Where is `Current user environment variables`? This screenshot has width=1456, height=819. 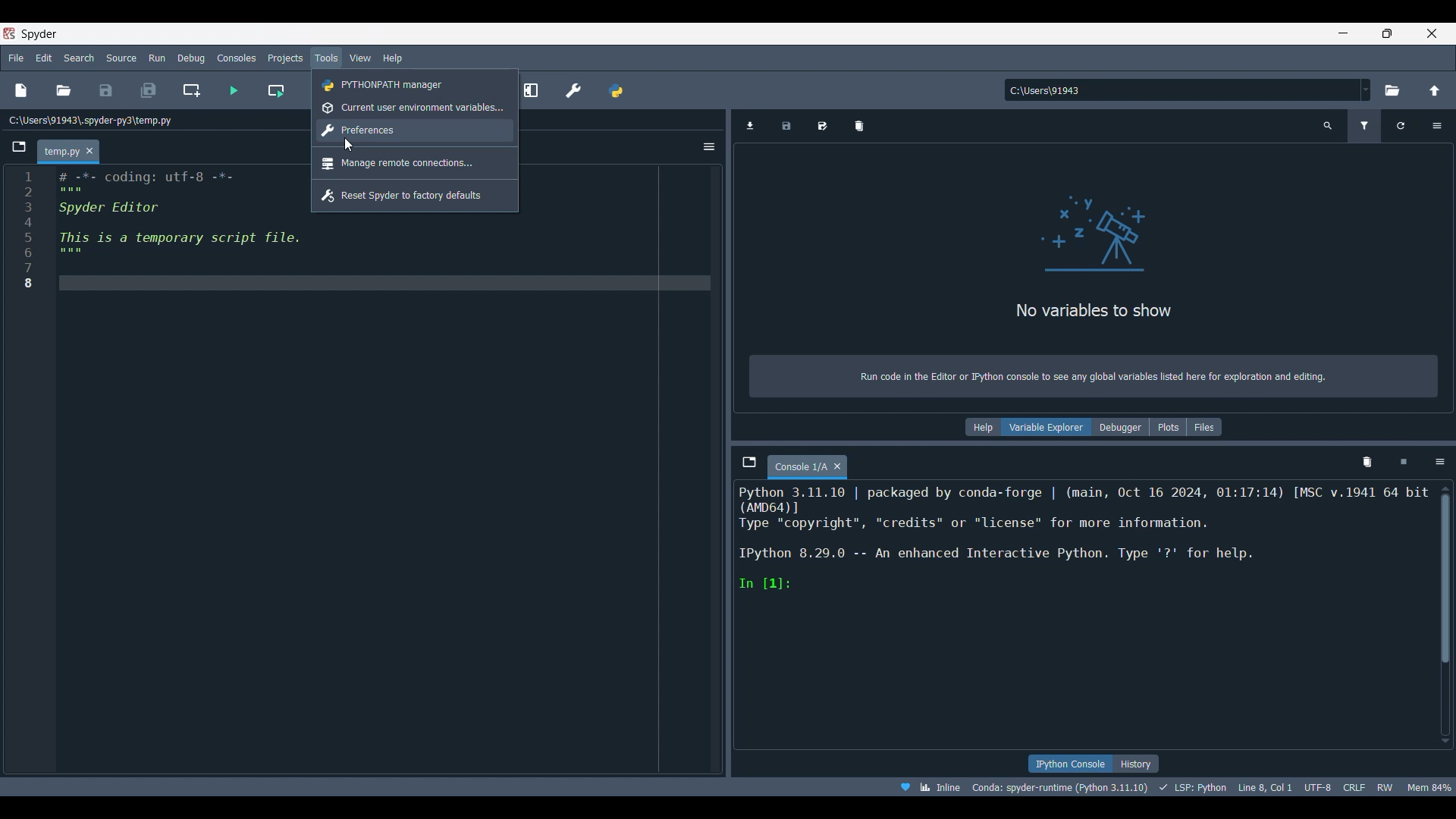
Current user environment variables is located at coordinates (414, 107).